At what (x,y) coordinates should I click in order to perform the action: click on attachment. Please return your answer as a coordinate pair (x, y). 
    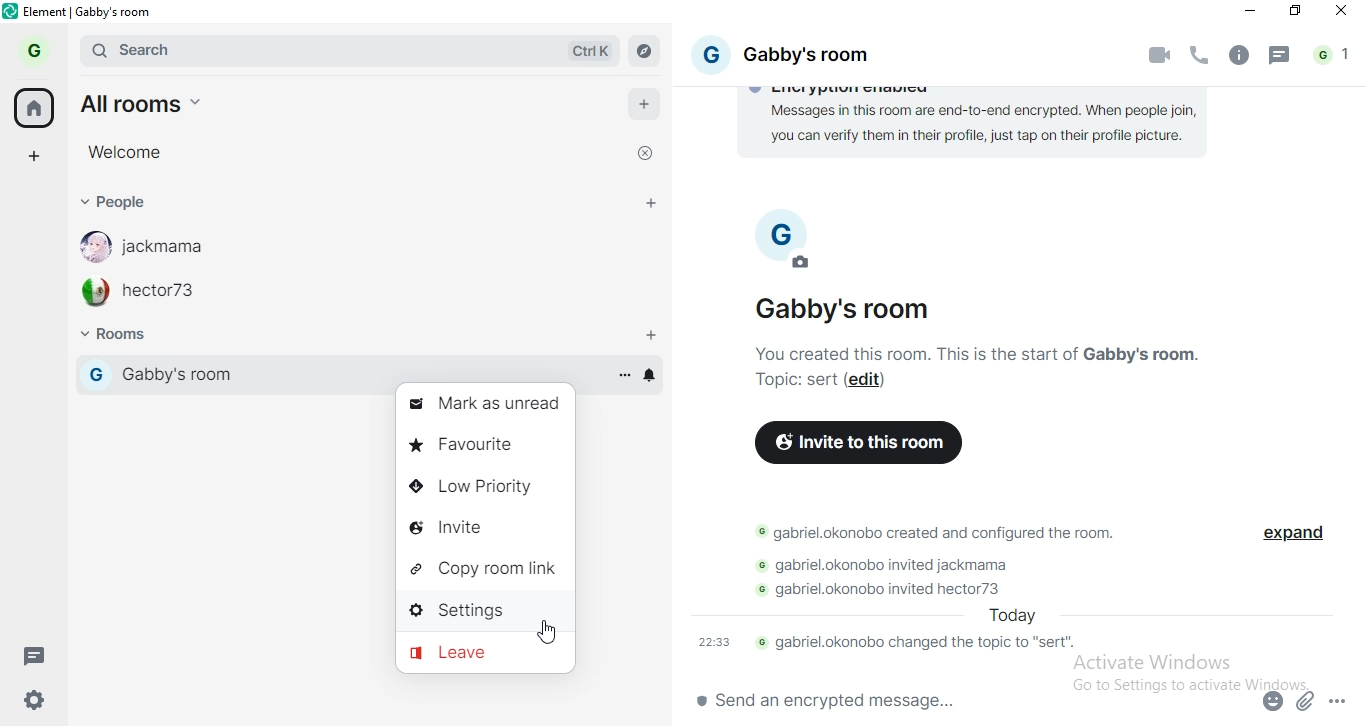
    Looking at the image, I should click on (1307, 700).